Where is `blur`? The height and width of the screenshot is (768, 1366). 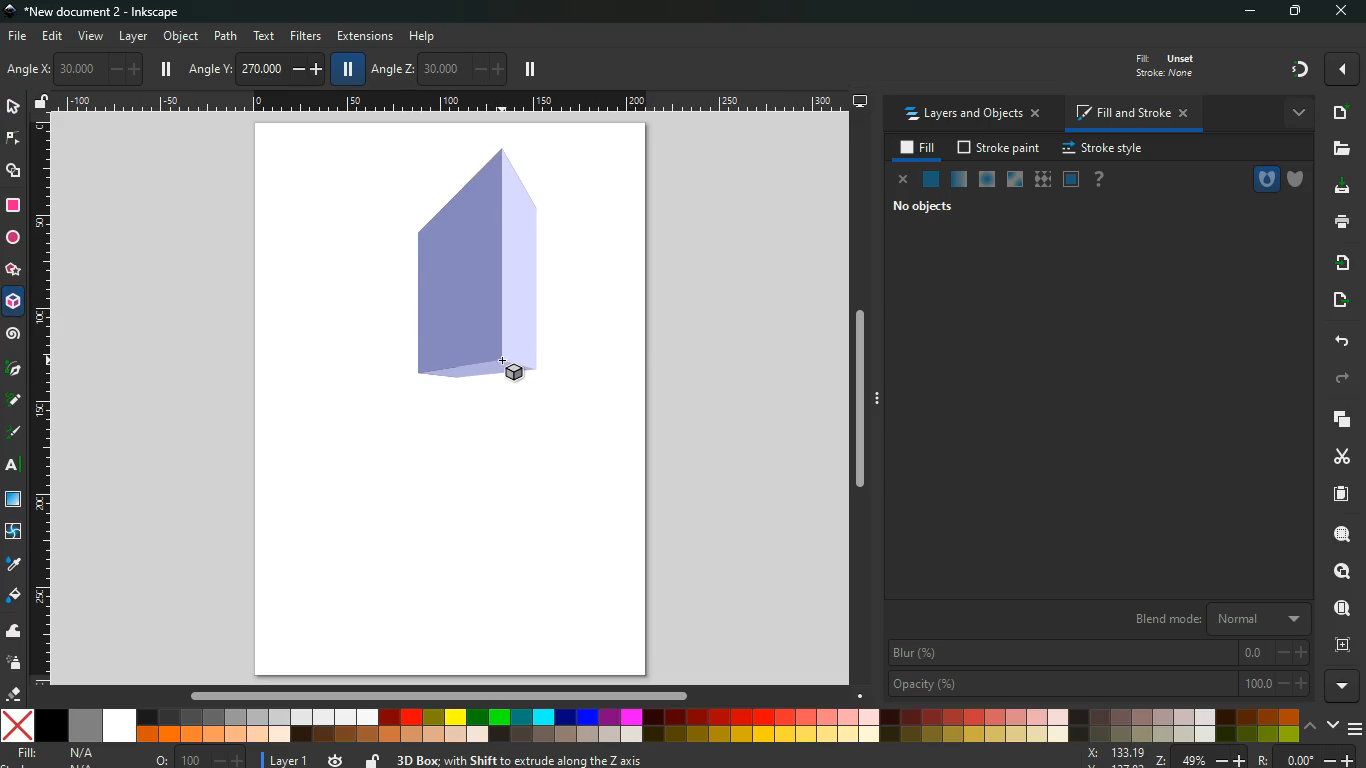 blur is located at coordinates (1100, 652).